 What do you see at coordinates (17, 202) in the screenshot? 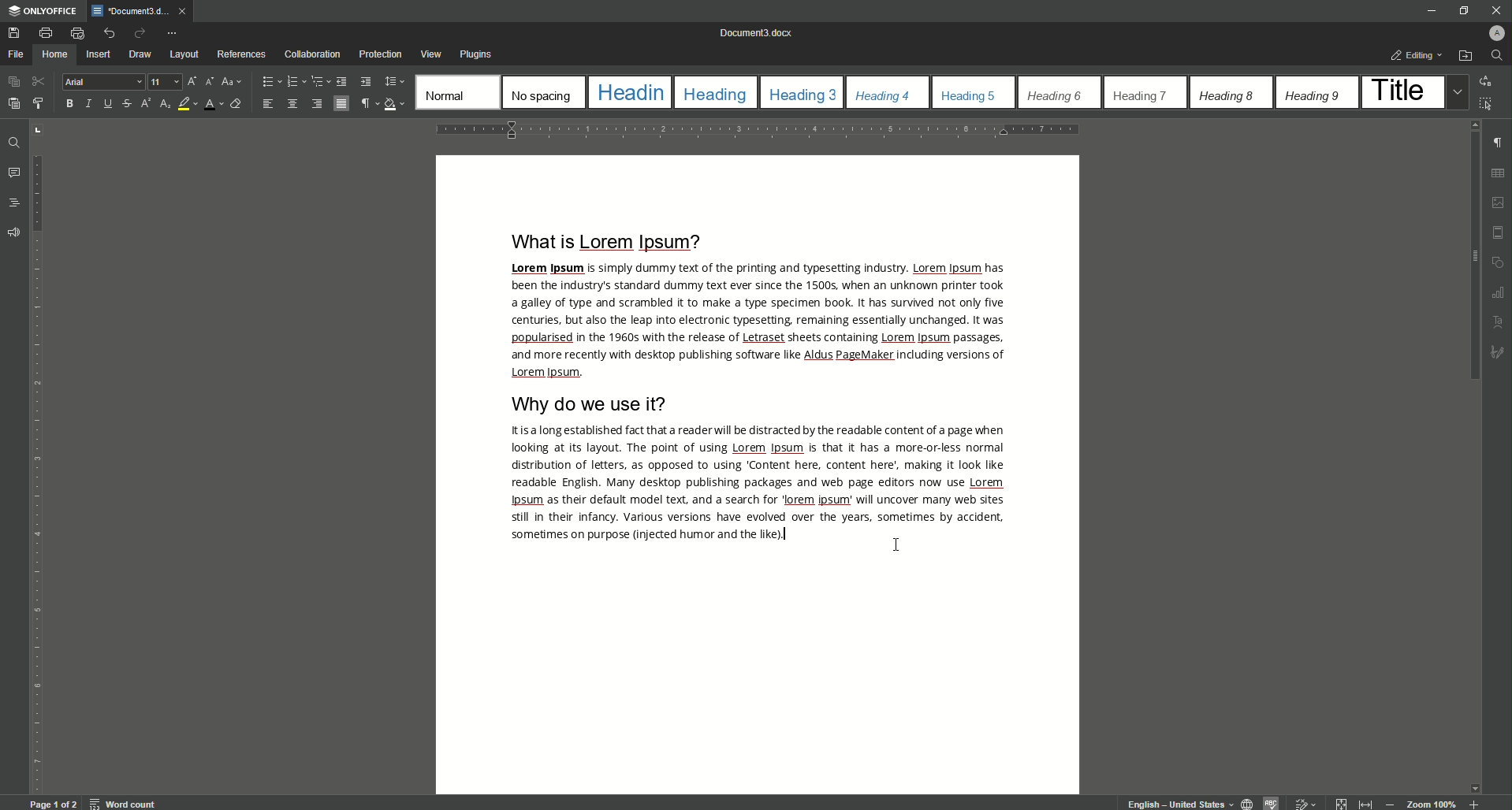
I see `Headings` at bounding box center [17, 202].